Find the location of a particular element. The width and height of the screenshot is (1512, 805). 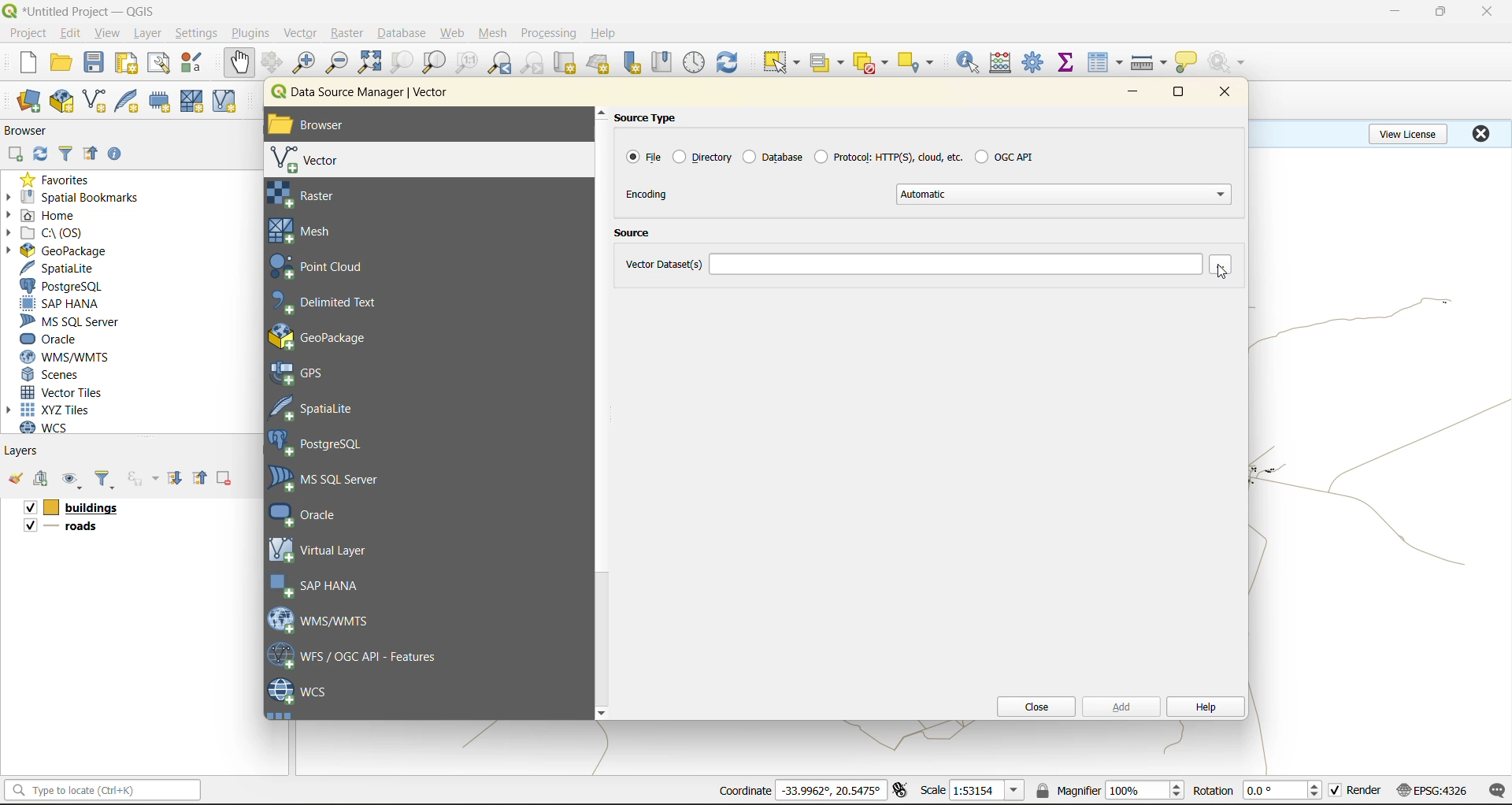

geopackage is located at coordinates (57, 250).